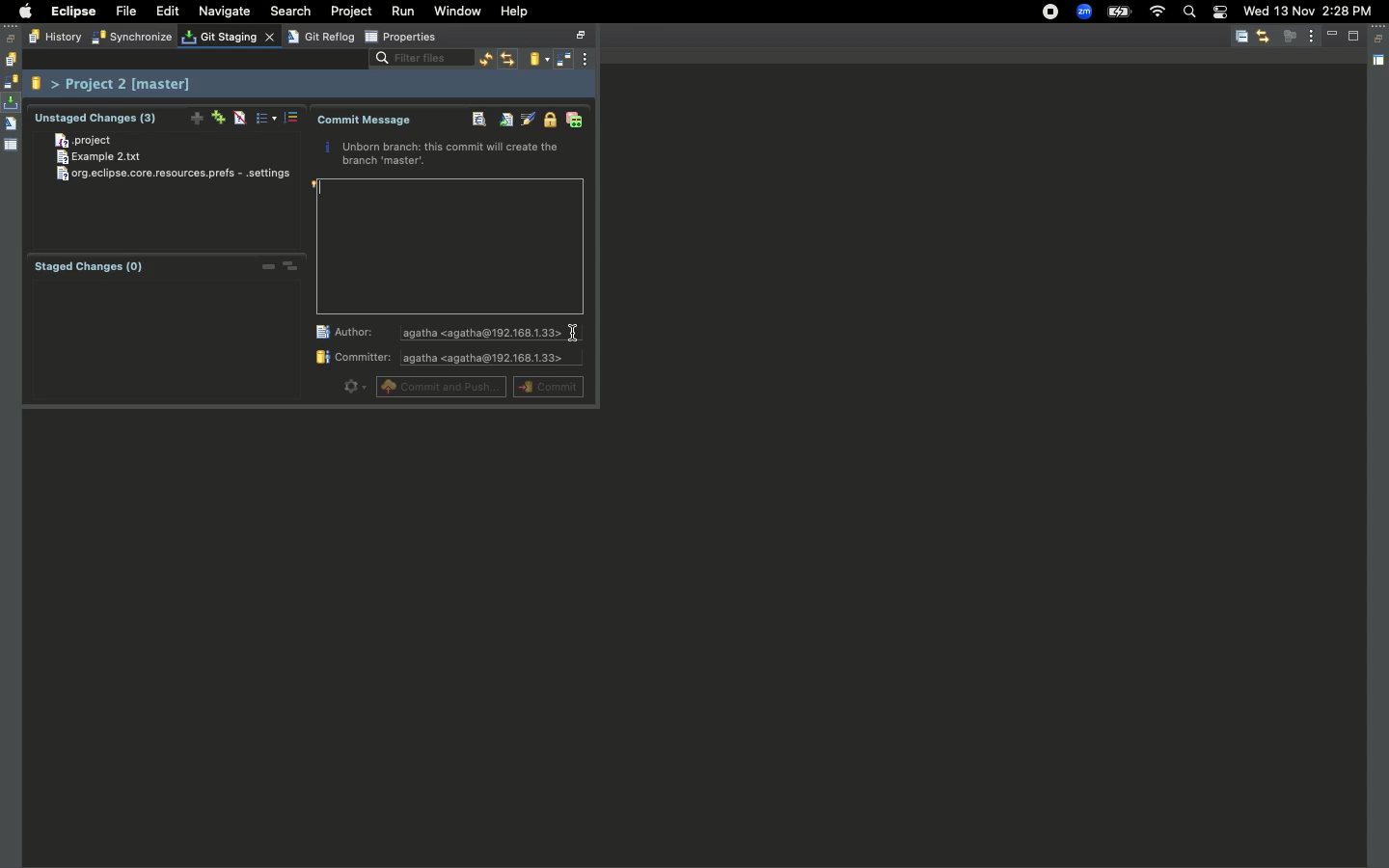 This screenshot has width=1389, height=868. What do you see at coordinates (1380, 64) in the screenshot?
I see `Shared area` at bounding box center [1380, 64].